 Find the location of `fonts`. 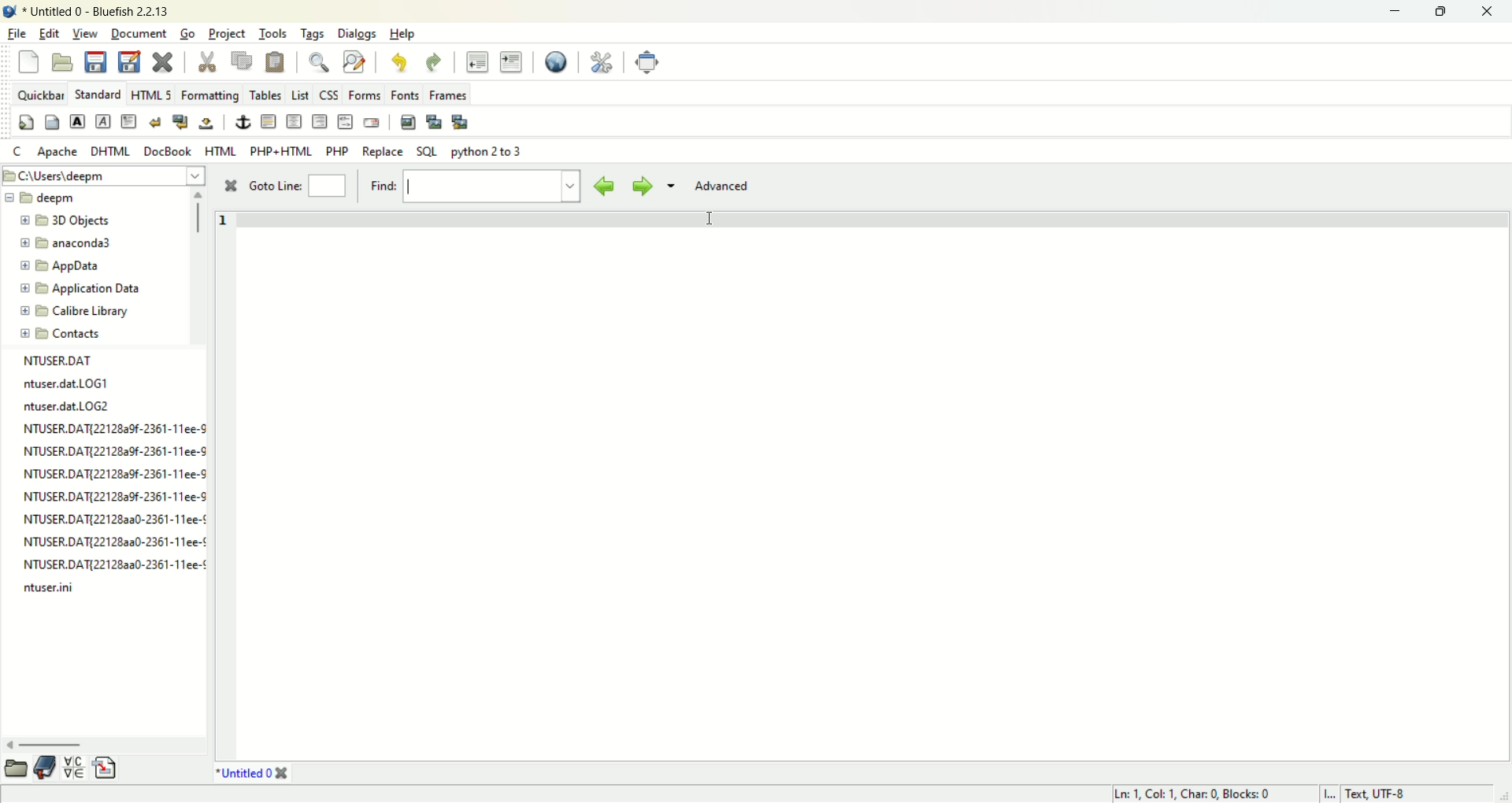

fonts is located at coordinates (406, 93).